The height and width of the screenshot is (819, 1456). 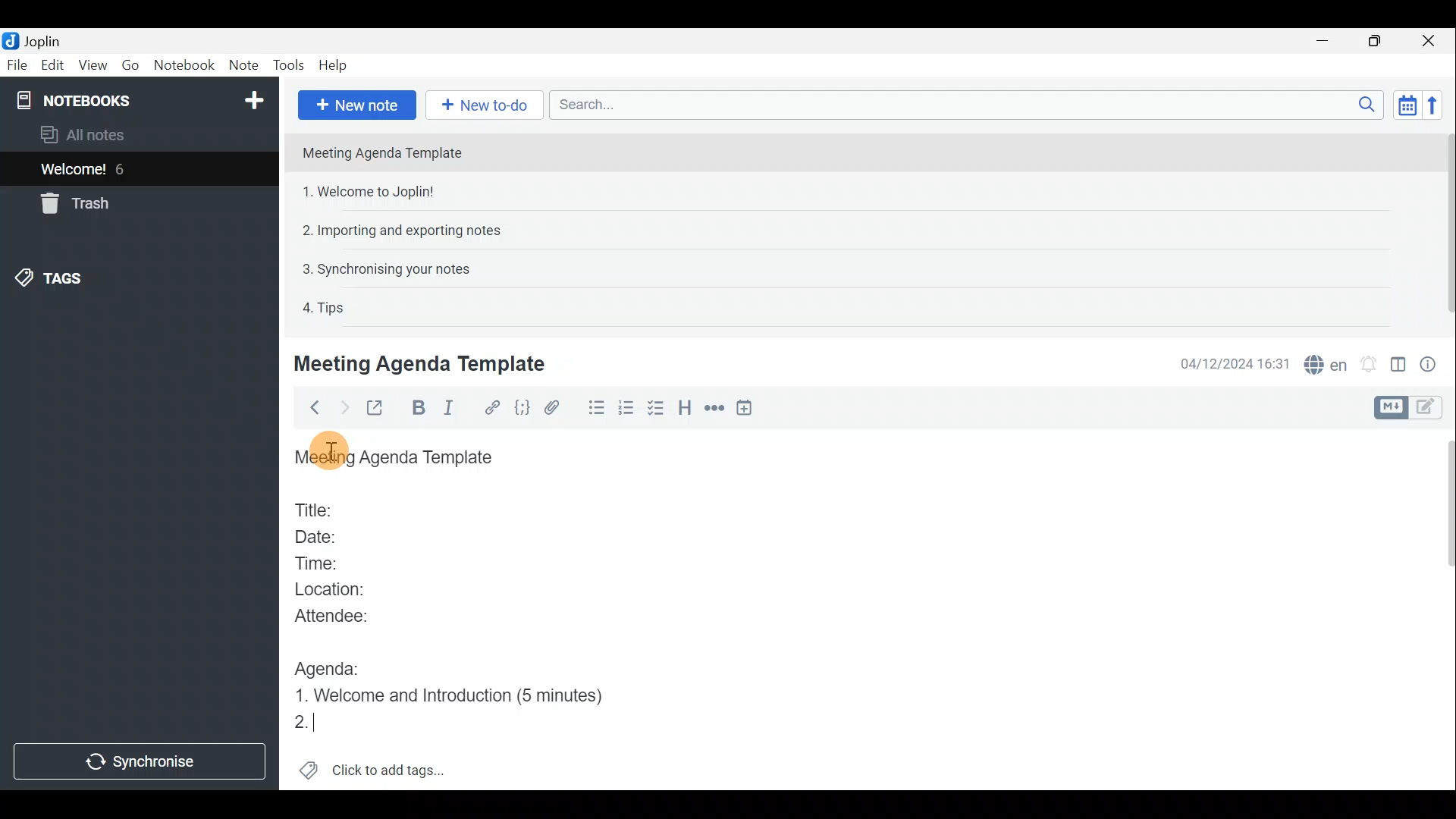 I want to click on 04/12/2024 16:31, so click(x=1228, y=362).